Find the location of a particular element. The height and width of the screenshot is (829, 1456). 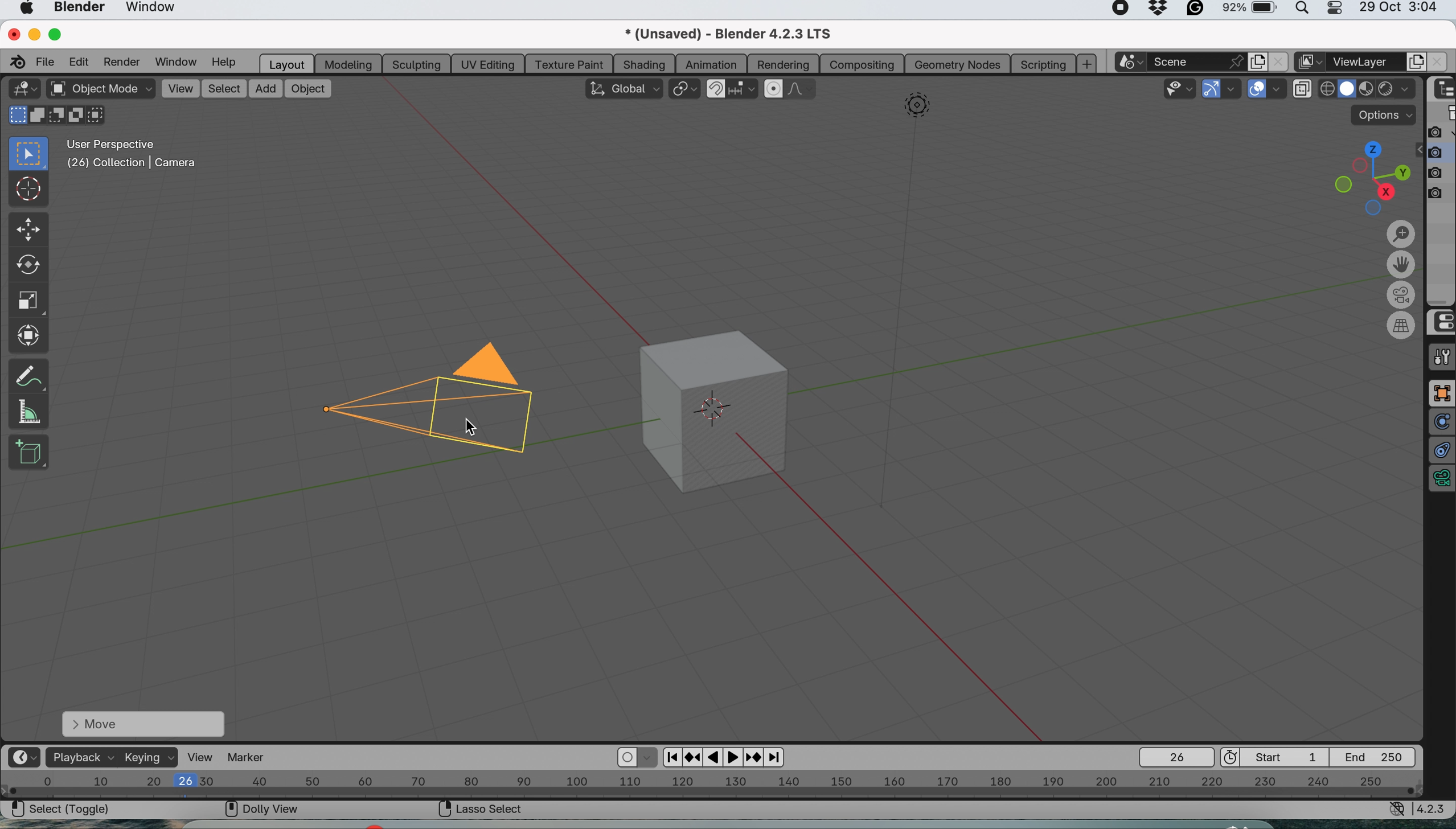

auto keying is located at coordinates (627, 758).